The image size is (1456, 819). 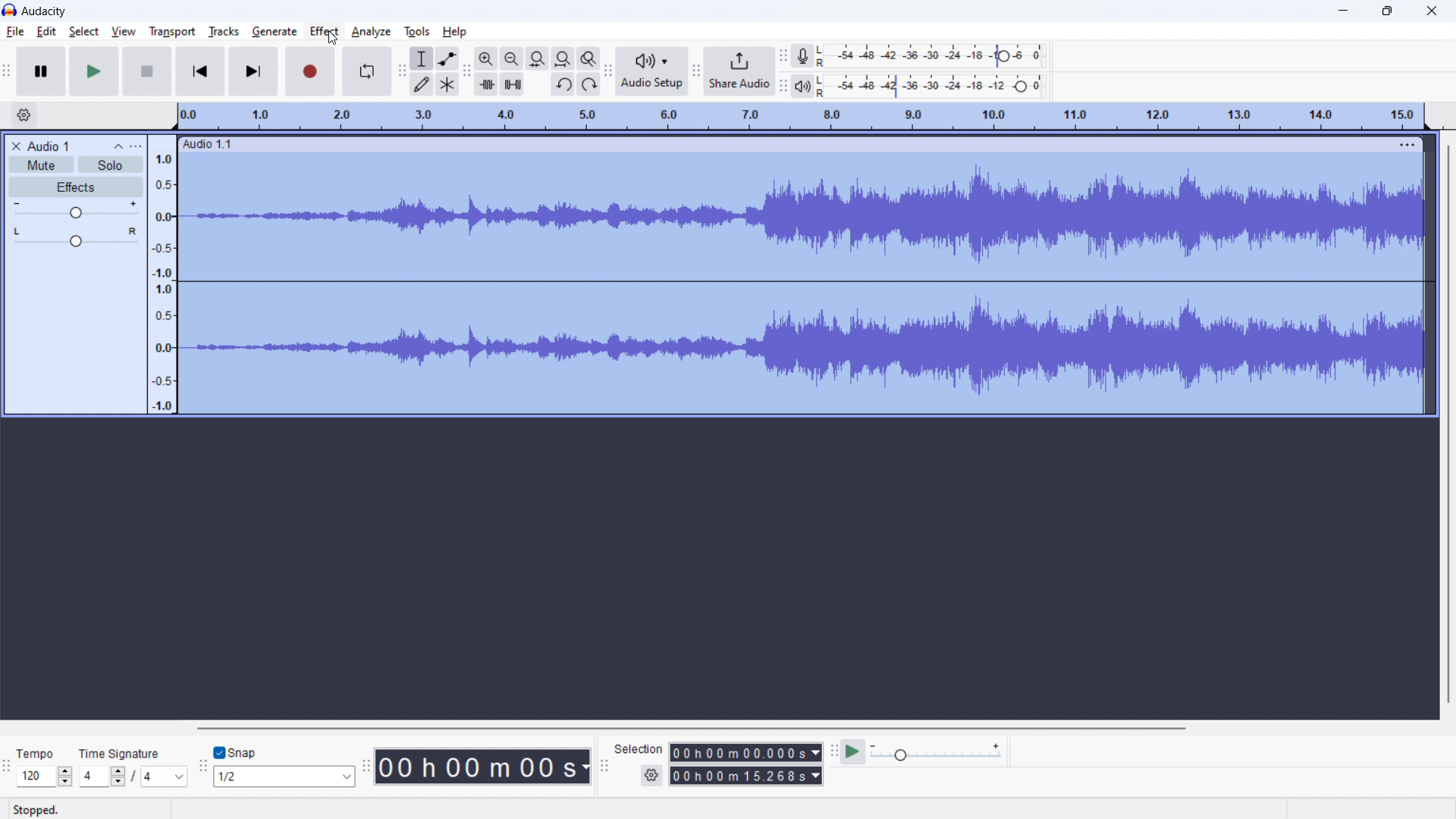 What do you see at coordinates (1388, 11) in the screenshot?
I see `maximize` at bounding box center [1388, 11].